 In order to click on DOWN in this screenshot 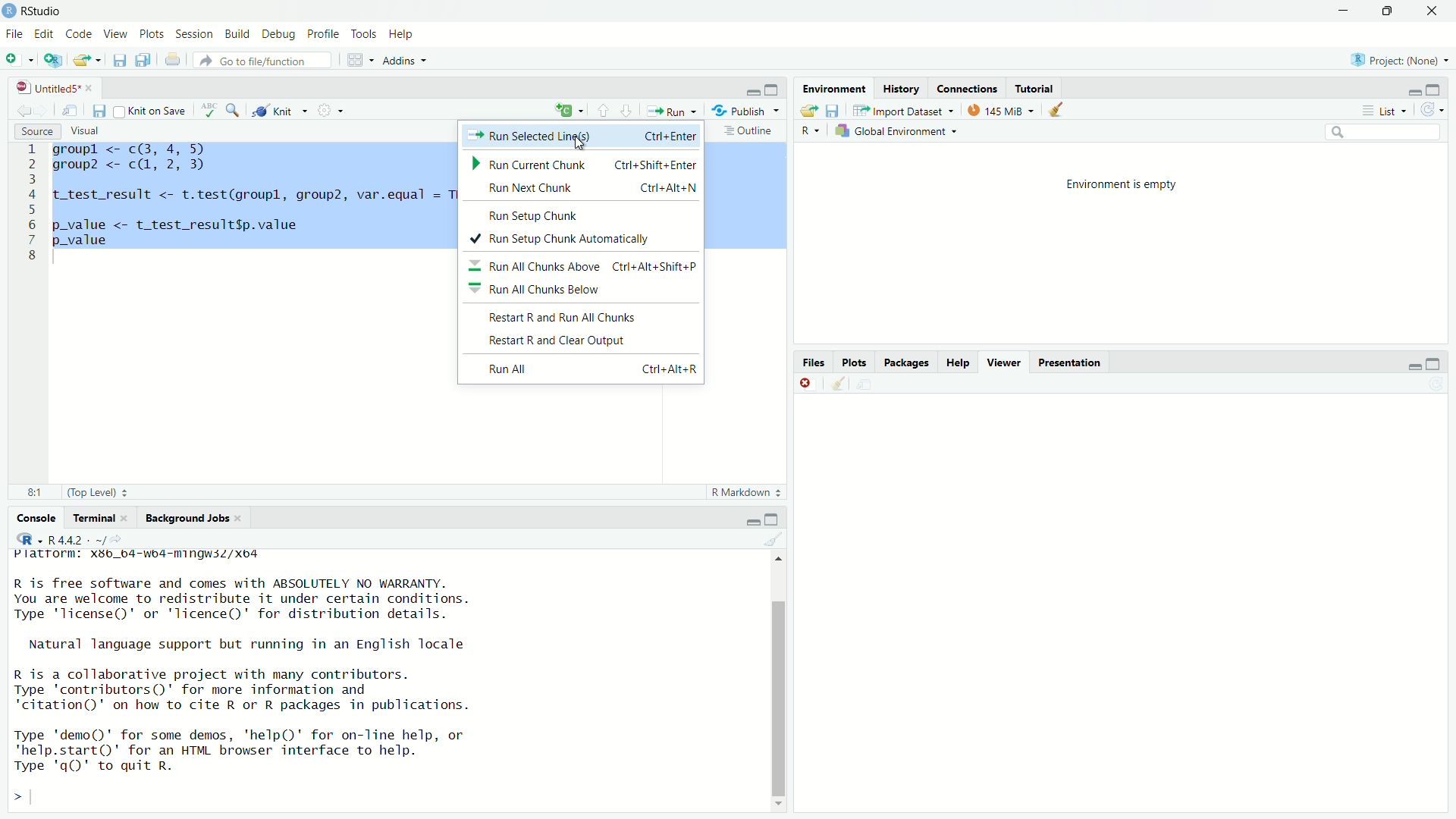, I will do `click(1386, 11)`.